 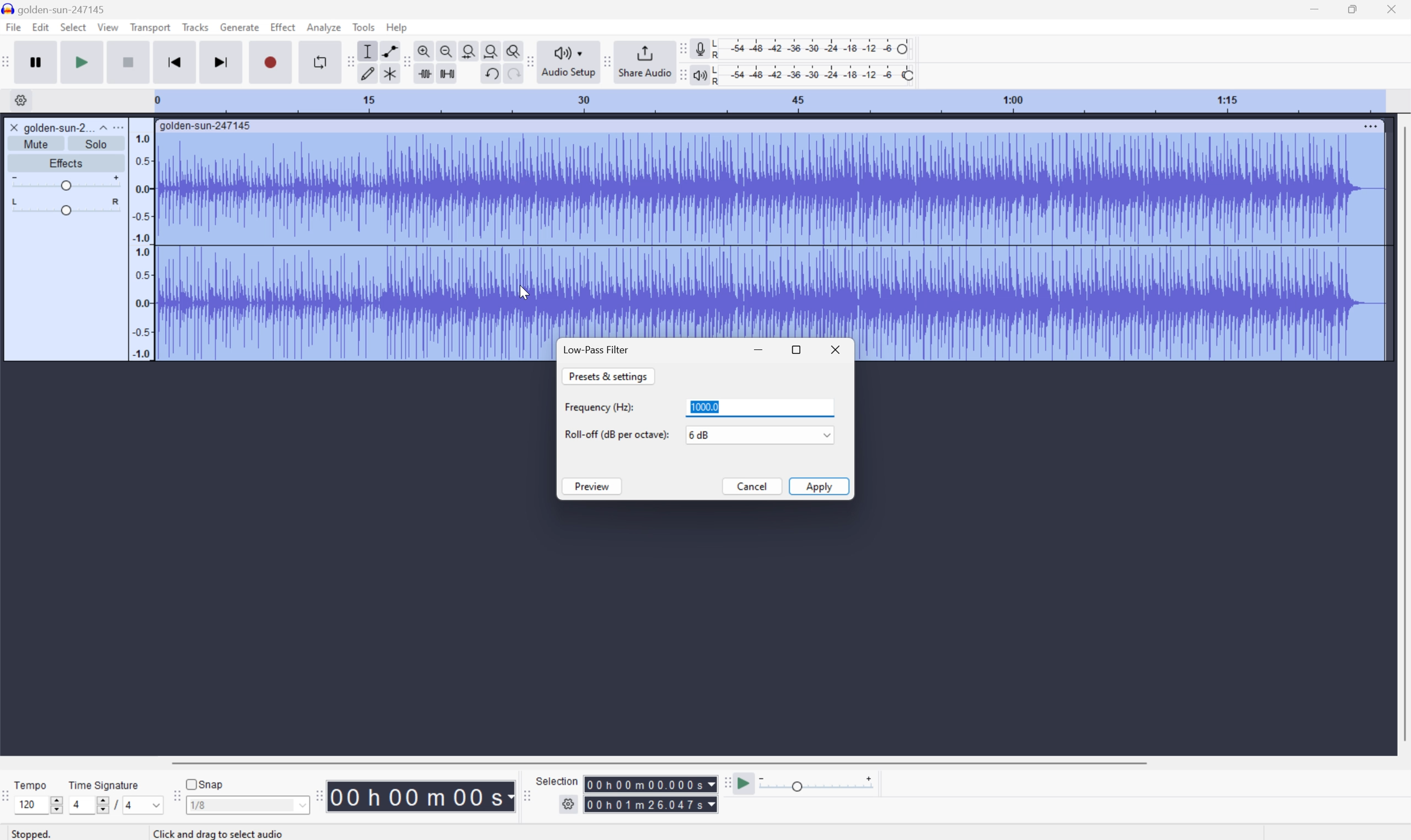 What do you see at coordinates (324, 27) in the screenshot?
I see `Analyze` at bounding box center [324, 27].